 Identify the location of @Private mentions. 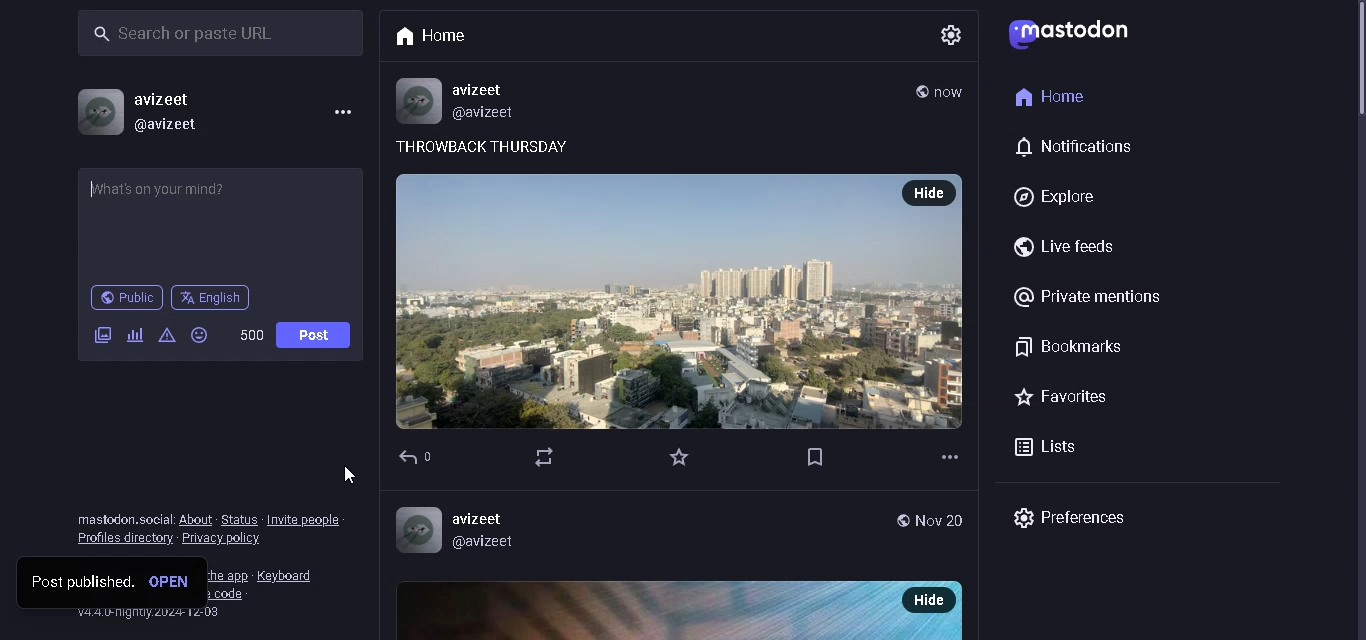
(1093, 297).